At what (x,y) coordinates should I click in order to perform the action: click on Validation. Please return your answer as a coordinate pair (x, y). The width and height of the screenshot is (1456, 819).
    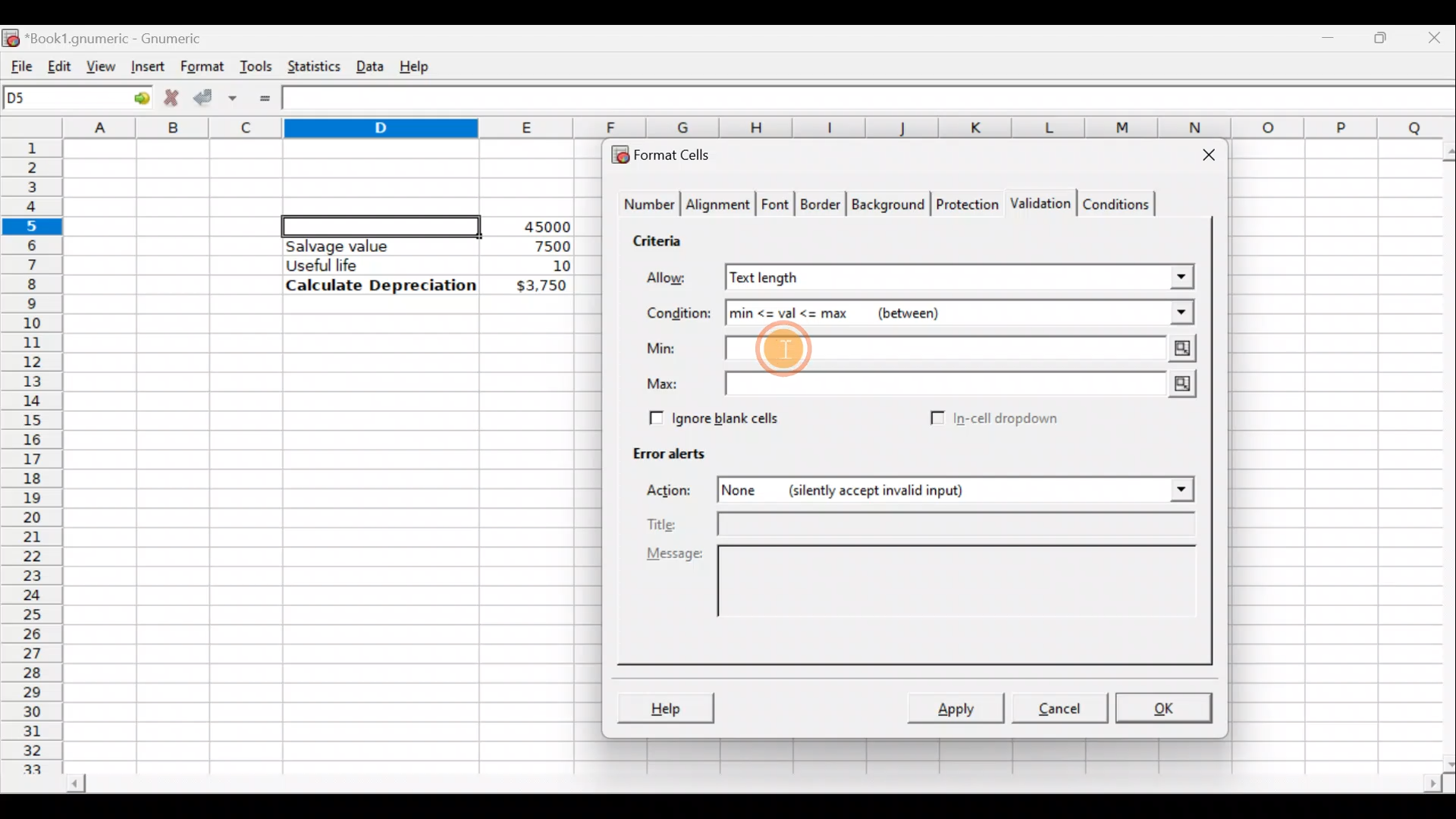
    Looking at the image, I should click on (1037, 205).